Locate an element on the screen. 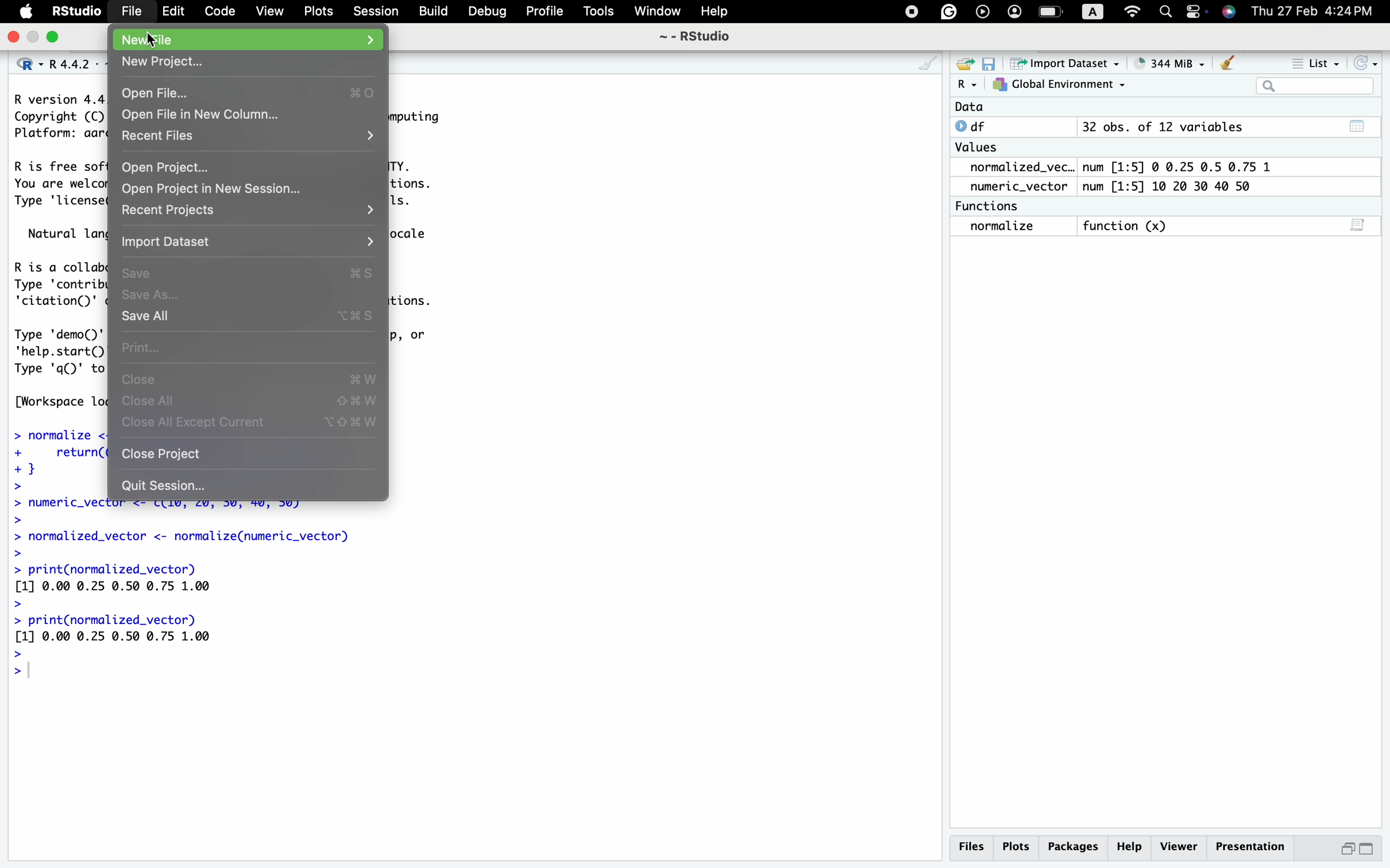  Global Environment is located at coordinates (1058, 85).